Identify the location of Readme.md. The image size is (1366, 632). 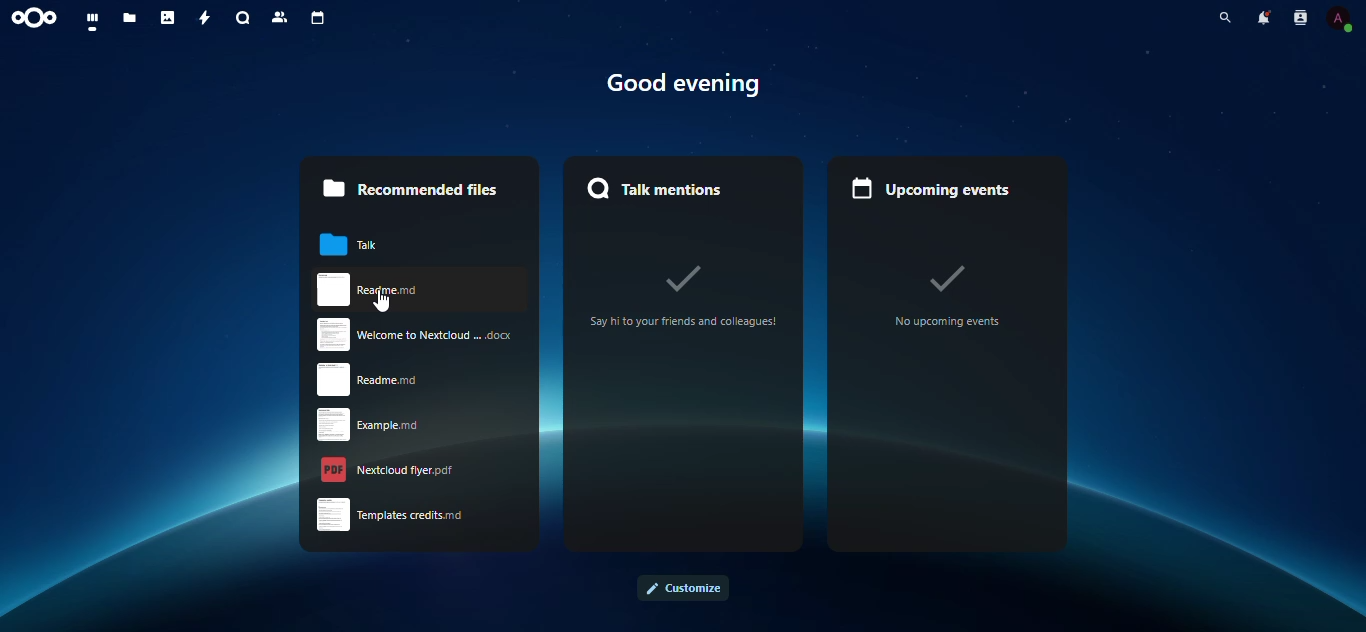
(382, 380).